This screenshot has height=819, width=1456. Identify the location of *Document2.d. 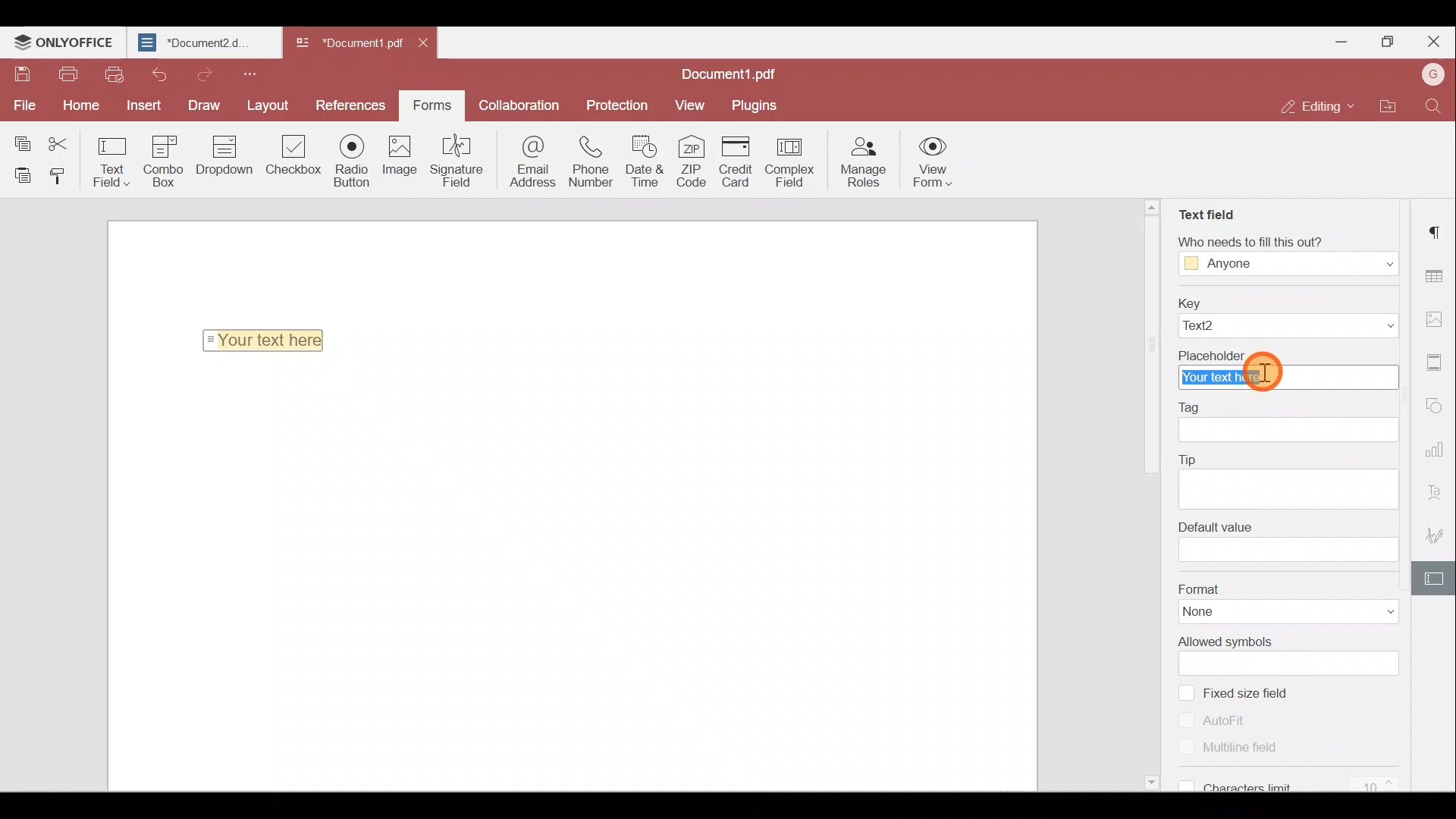
(202, 42).